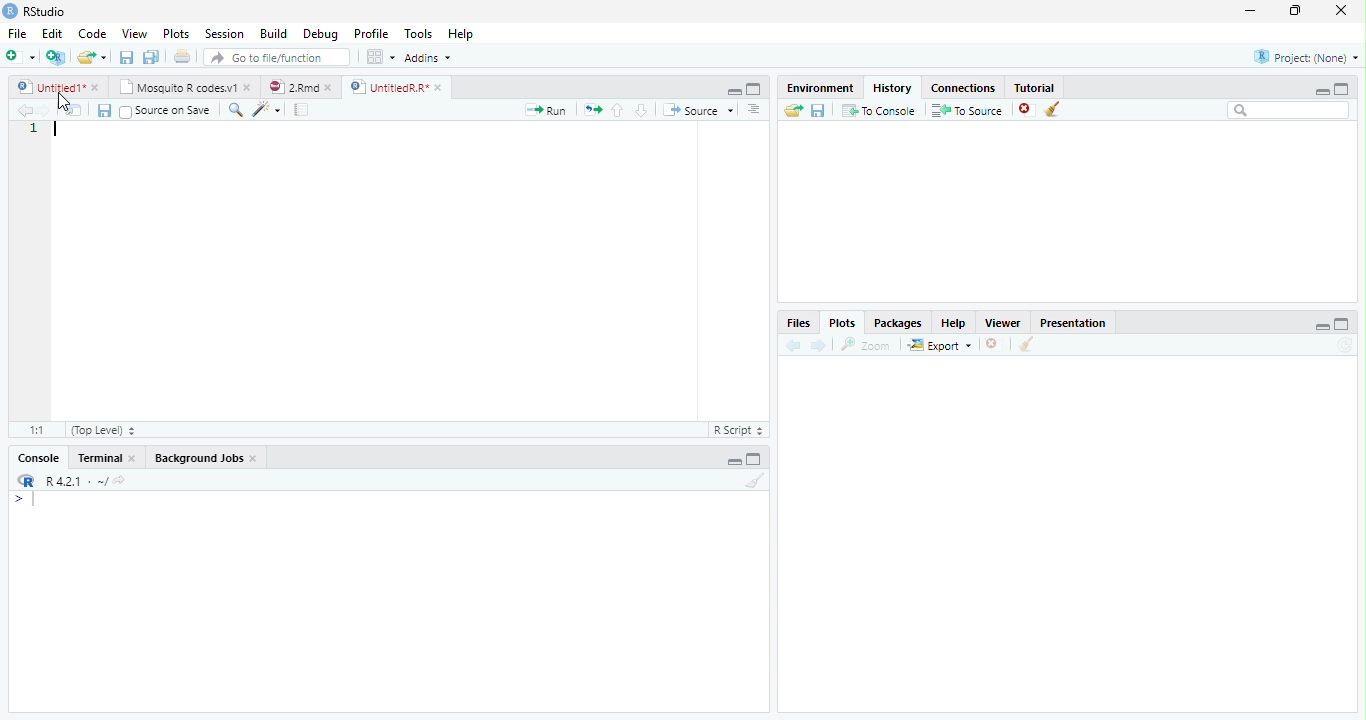  What do you see at coordinates (292, 87) in the screenshot?
I see `2.Rmd` at bounding box center [292, 87].